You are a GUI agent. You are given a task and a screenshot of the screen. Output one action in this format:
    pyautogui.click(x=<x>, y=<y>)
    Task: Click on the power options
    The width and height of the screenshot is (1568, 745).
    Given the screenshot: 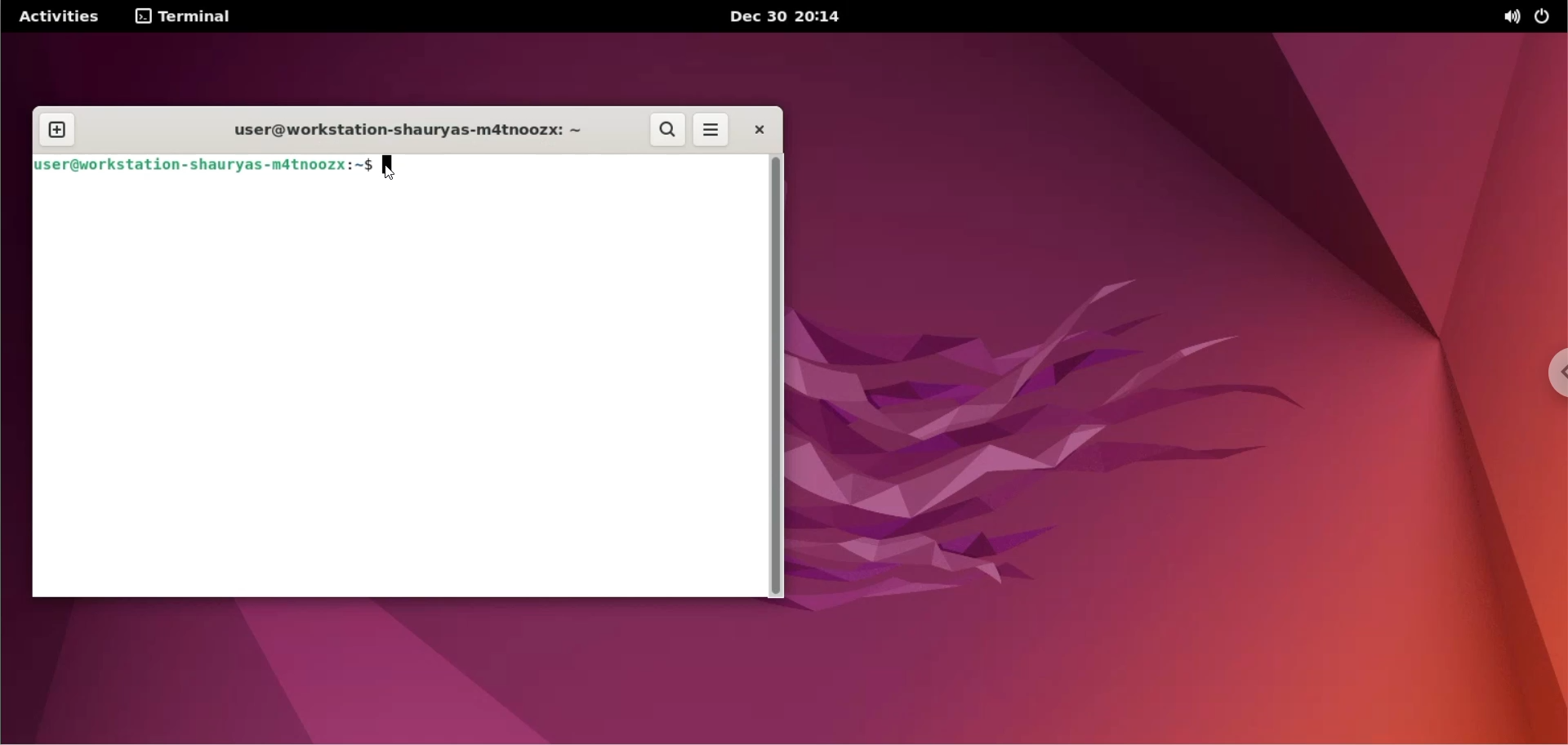 What is the action you would take?
    pyautogui.click(x=1546, y=17)
    